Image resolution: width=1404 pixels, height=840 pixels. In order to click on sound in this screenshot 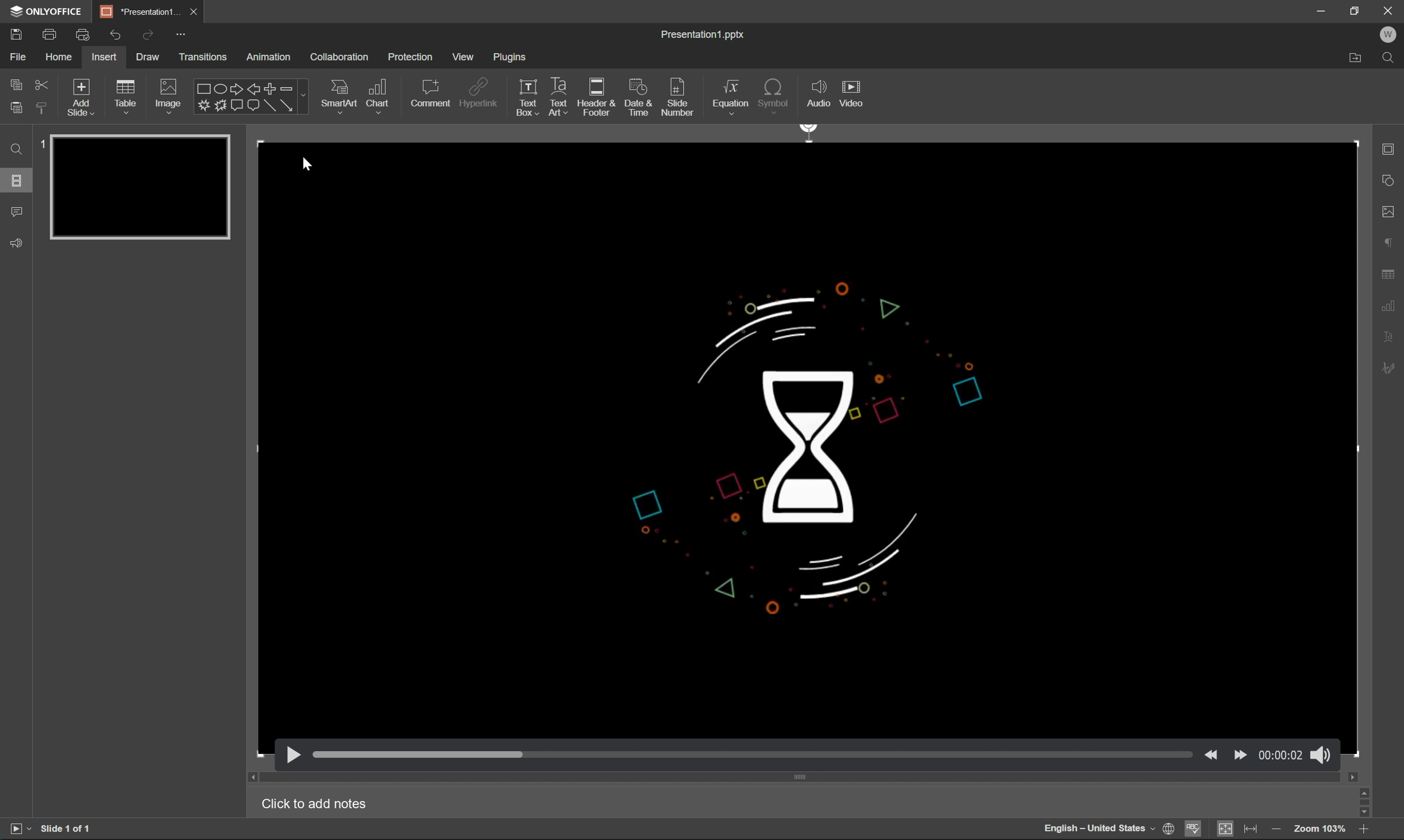, I will do `click(1324, 753)`.